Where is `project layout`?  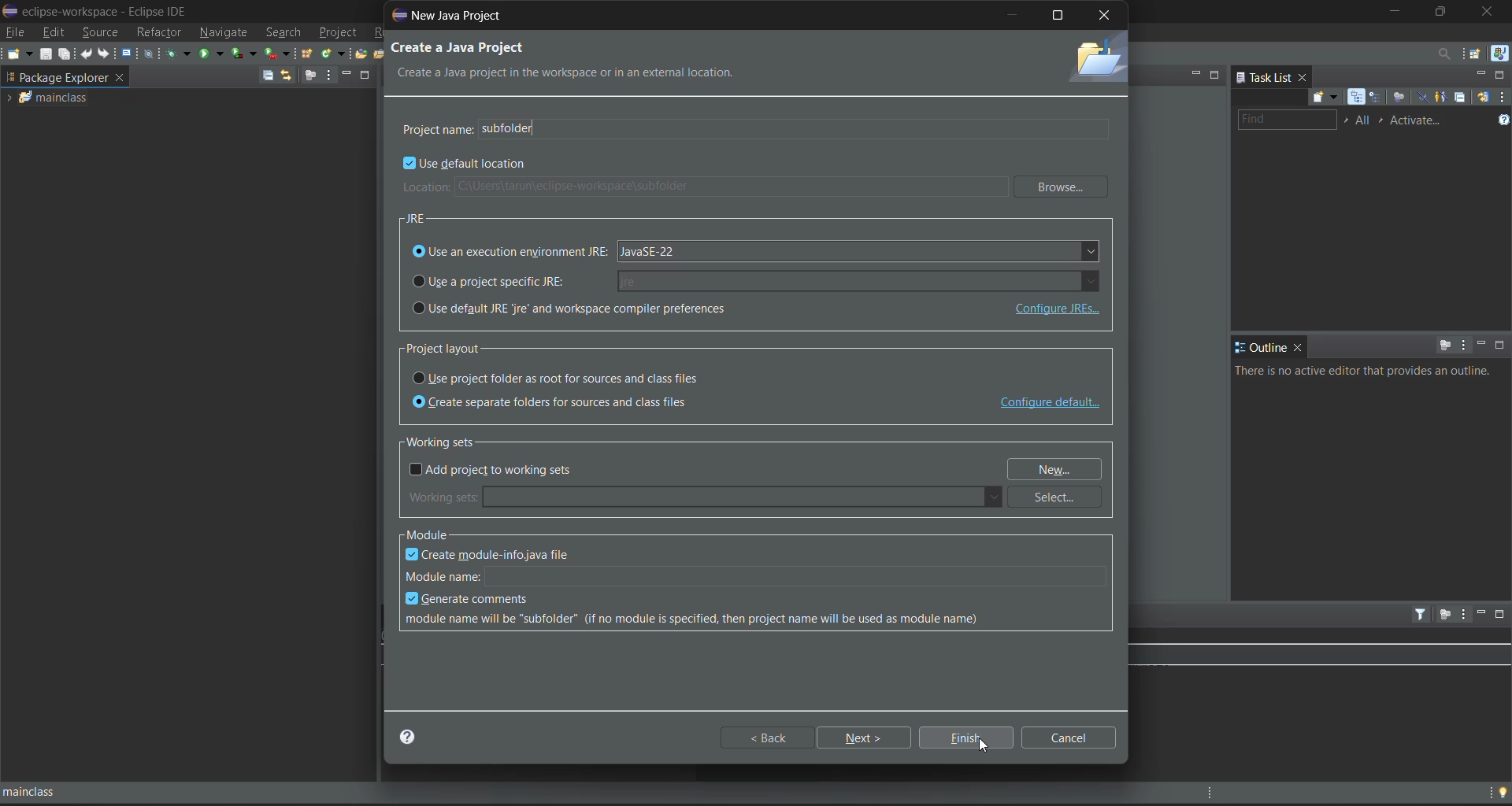 project layout is located at coordinates (456, 349).